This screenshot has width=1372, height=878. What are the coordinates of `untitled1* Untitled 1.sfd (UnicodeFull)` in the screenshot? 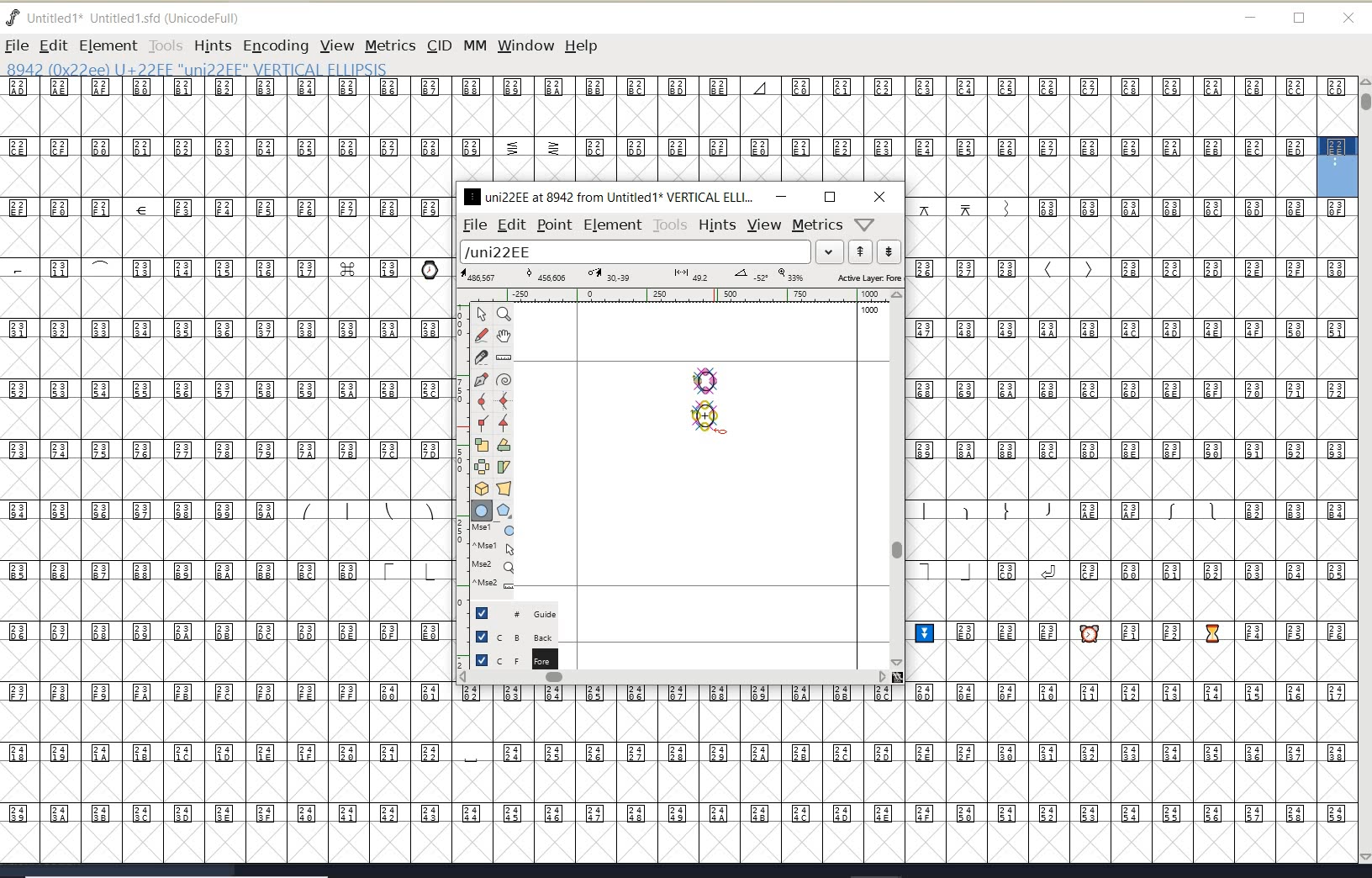 It's located at (141, 16).